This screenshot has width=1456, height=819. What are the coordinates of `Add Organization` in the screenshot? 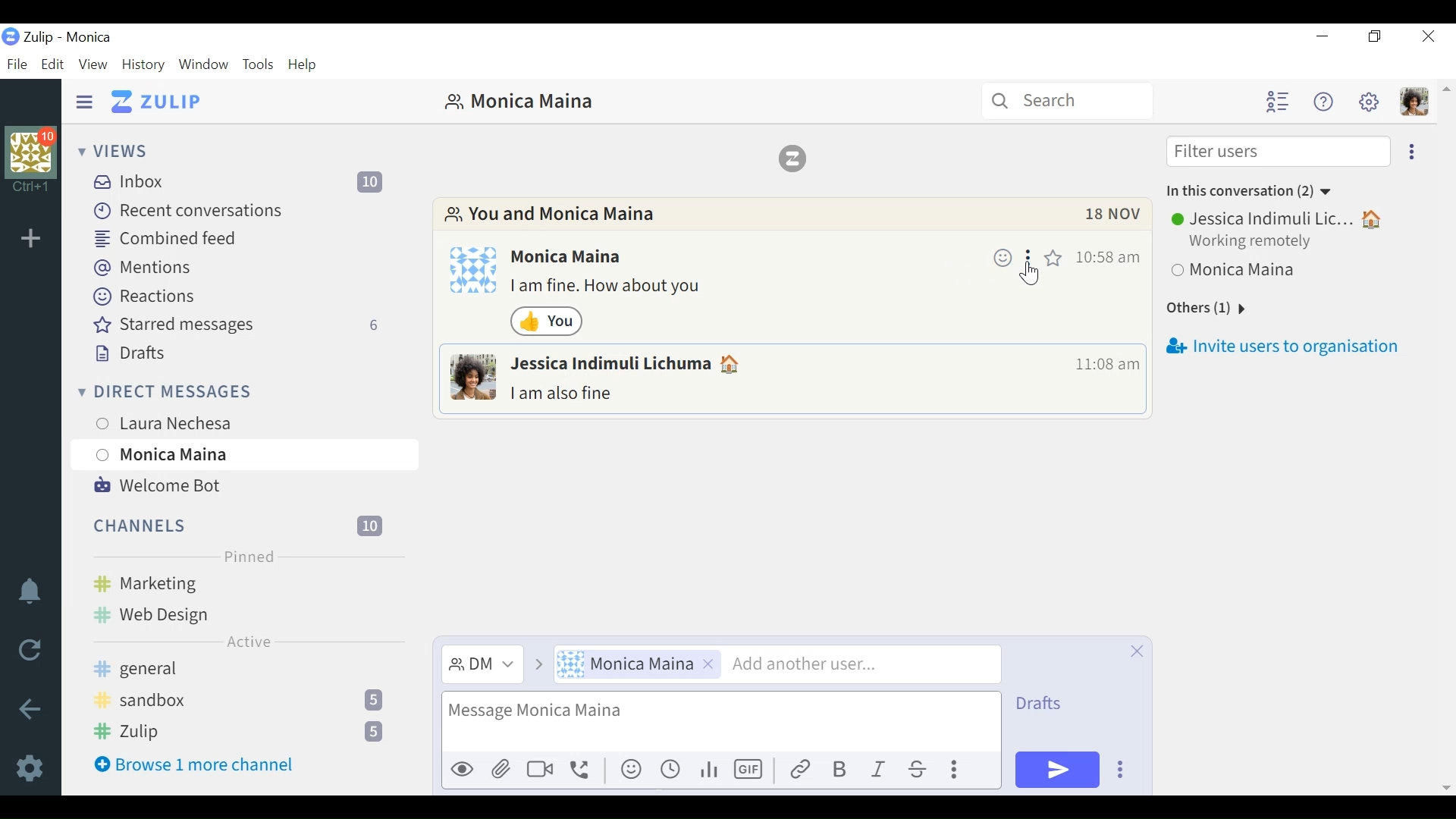 It's located at (30, 240).